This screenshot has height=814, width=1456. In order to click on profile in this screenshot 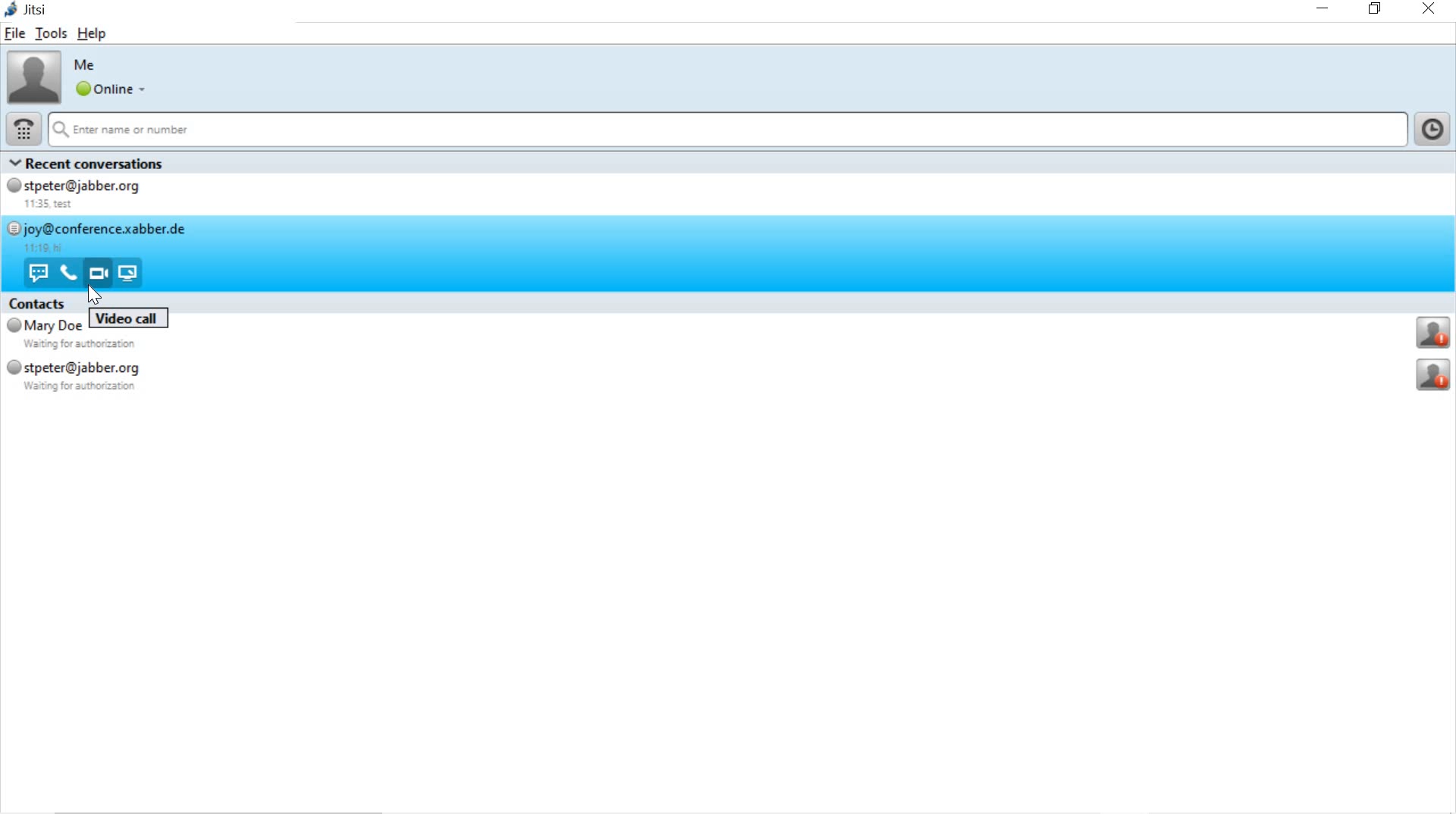, I will do `click(1435, 376)`.